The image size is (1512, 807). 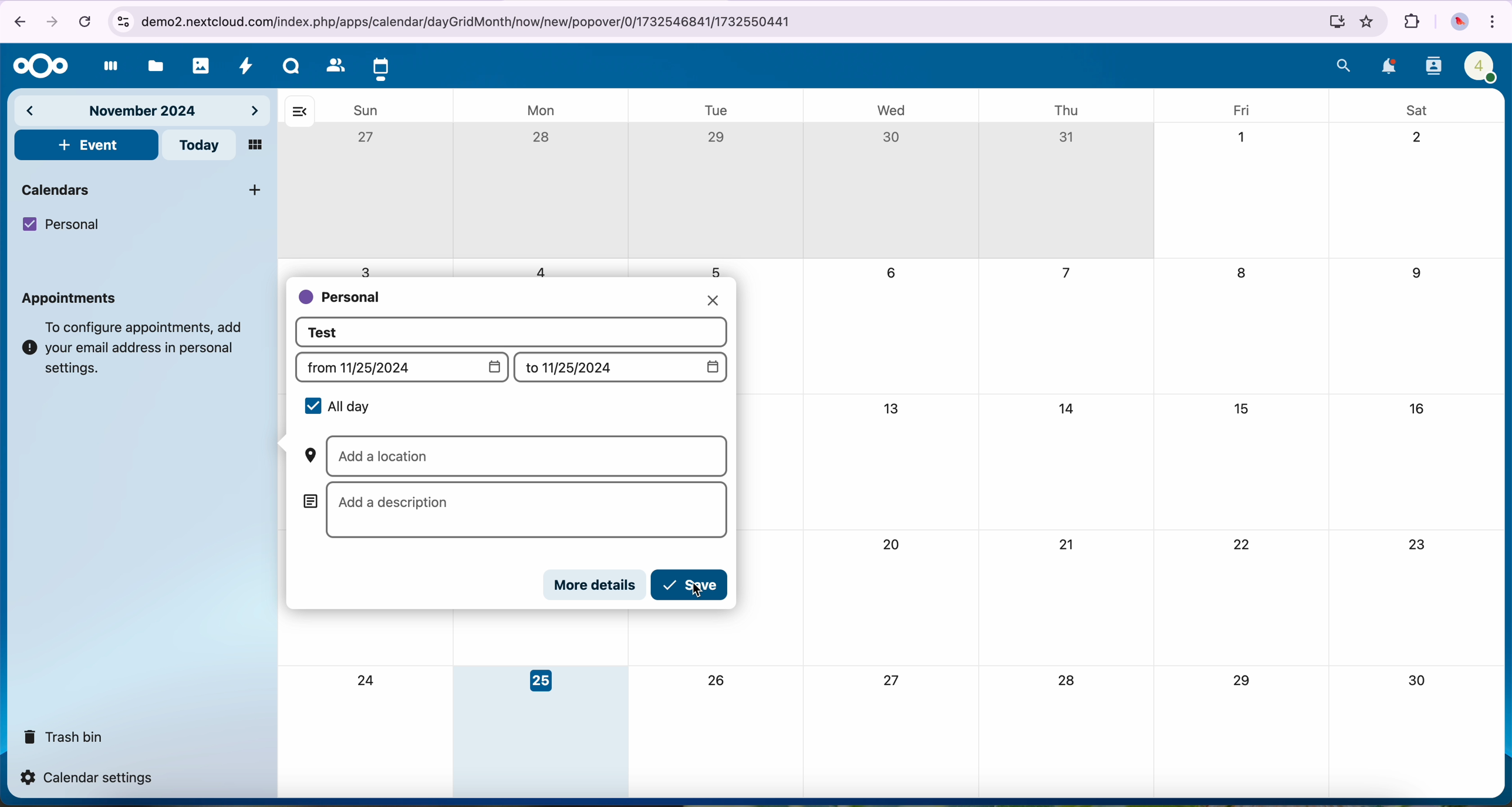 I want to click on contacts, so click(x=330, y=65).